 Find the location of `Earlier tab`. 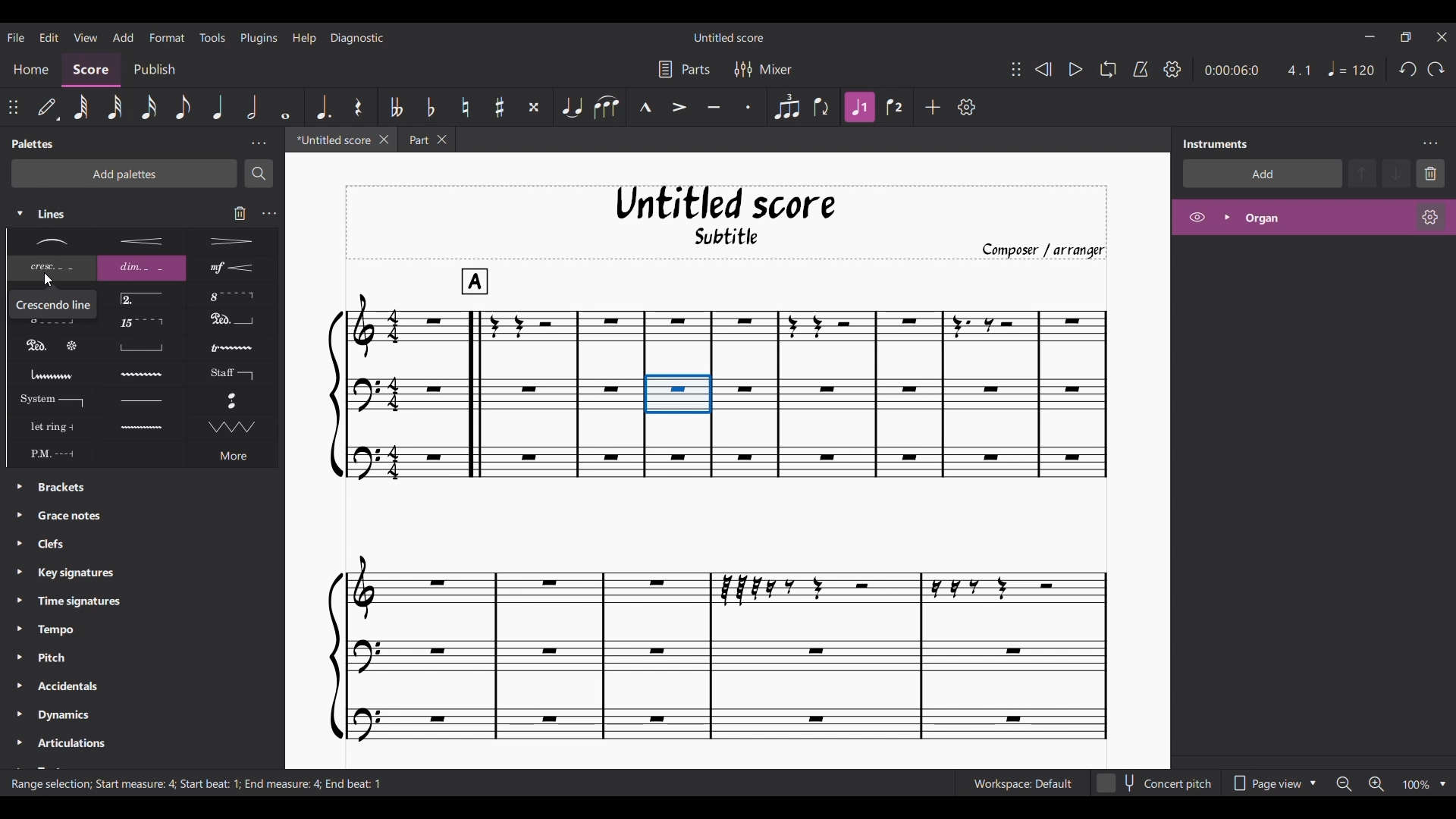

Earlier tab is located at coordinates (426, 140).